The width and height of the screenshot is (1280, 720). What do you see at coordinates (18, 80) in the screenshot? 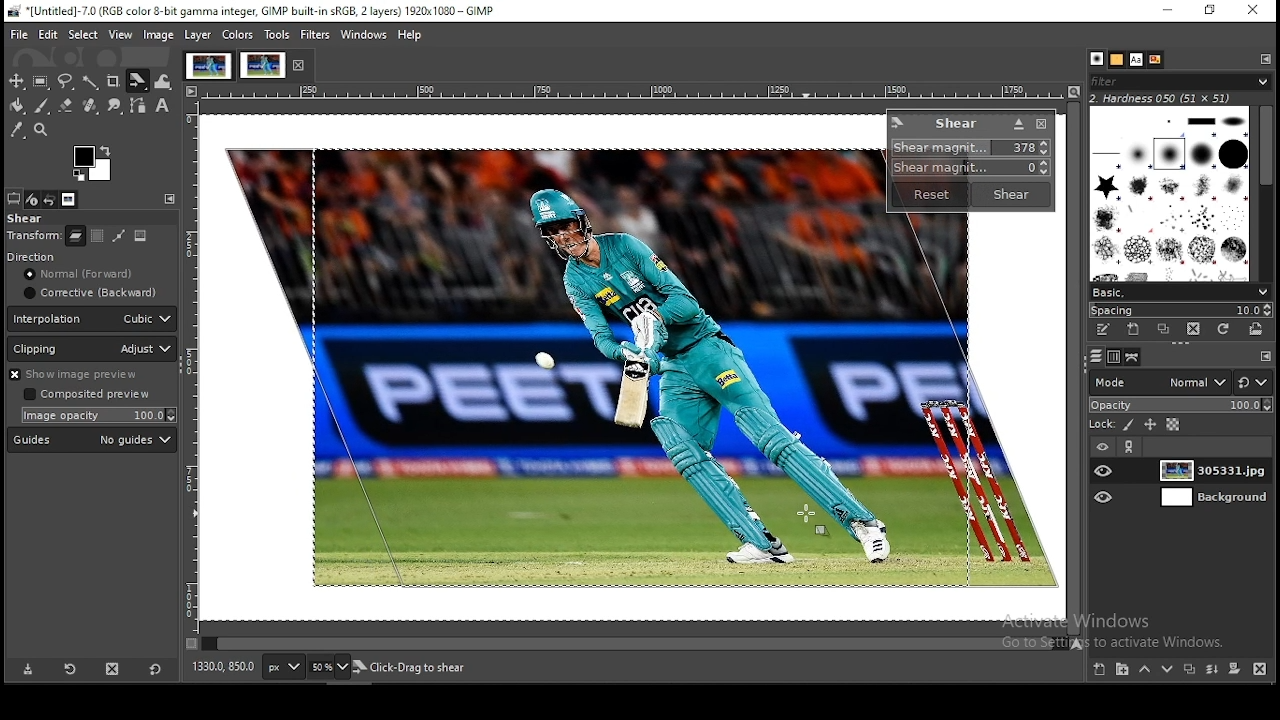
I see `selection tool` at bounding box center [18, 80].